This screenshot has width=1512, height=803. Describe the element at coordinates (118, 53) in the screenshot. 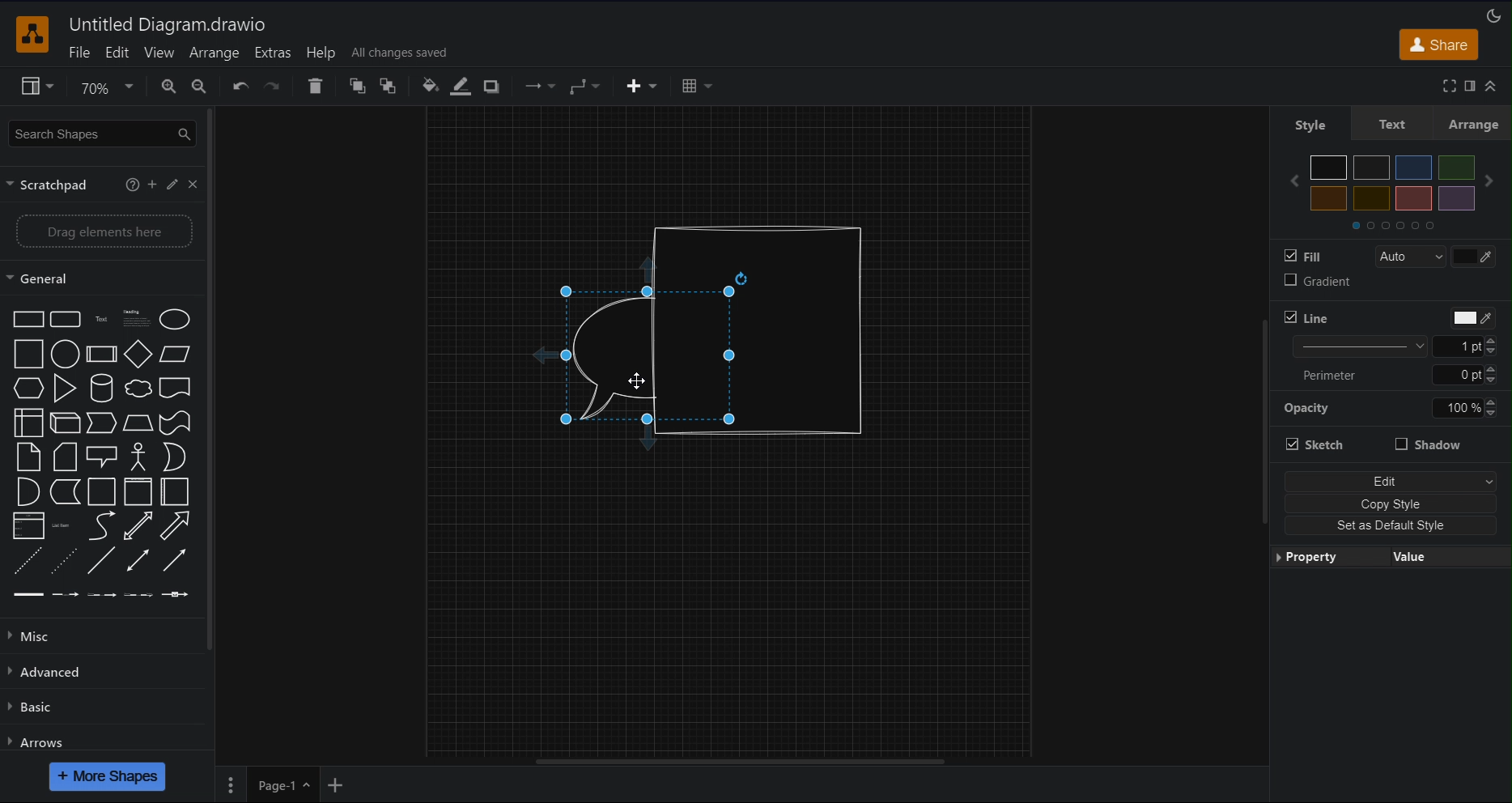

I see `Edit` at that location.